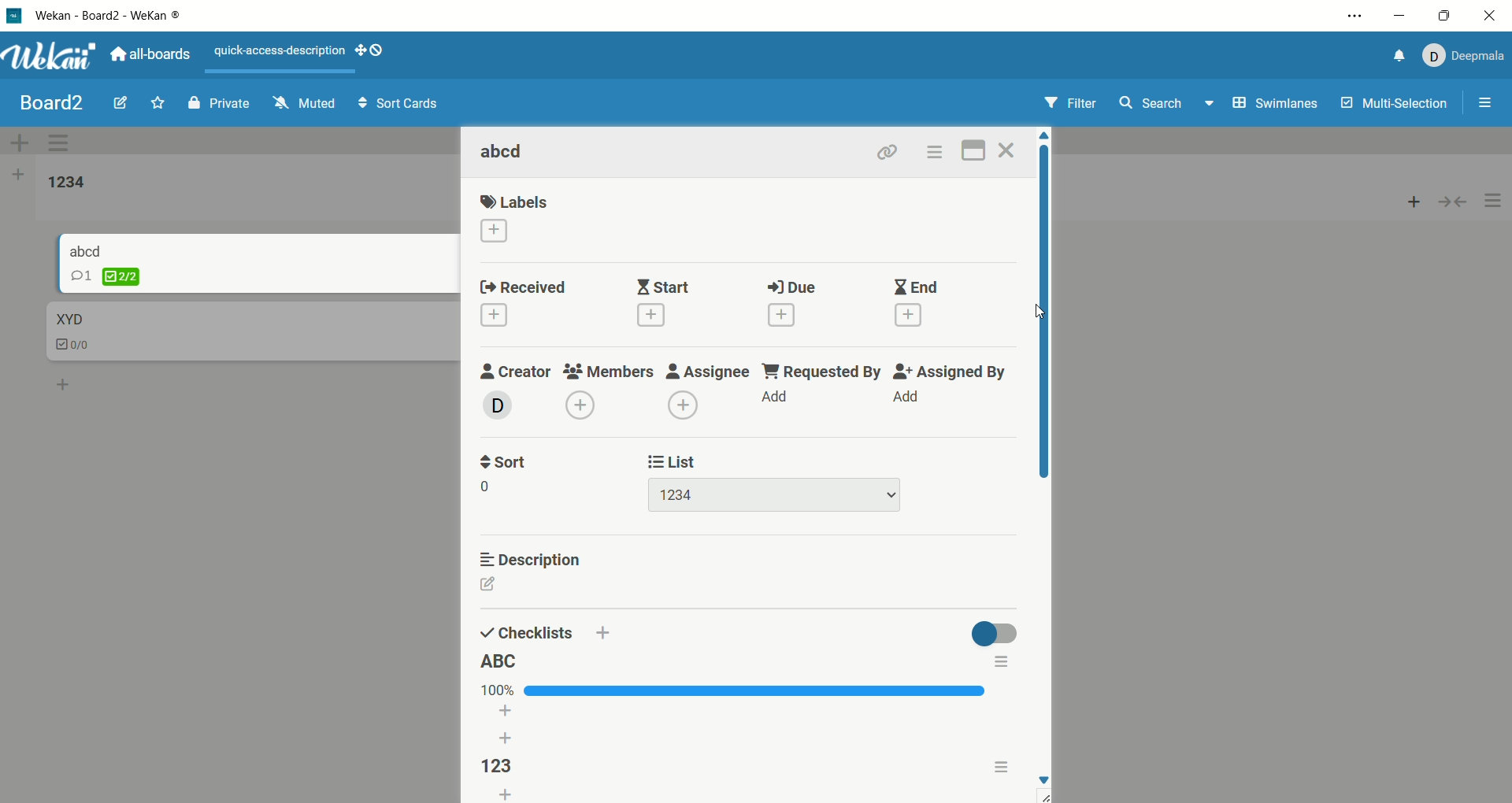 The height and width of the screenshot is (803, 1512). Describe the element at coordinates (674, 461) in the screenshot. I see `list` at that location.